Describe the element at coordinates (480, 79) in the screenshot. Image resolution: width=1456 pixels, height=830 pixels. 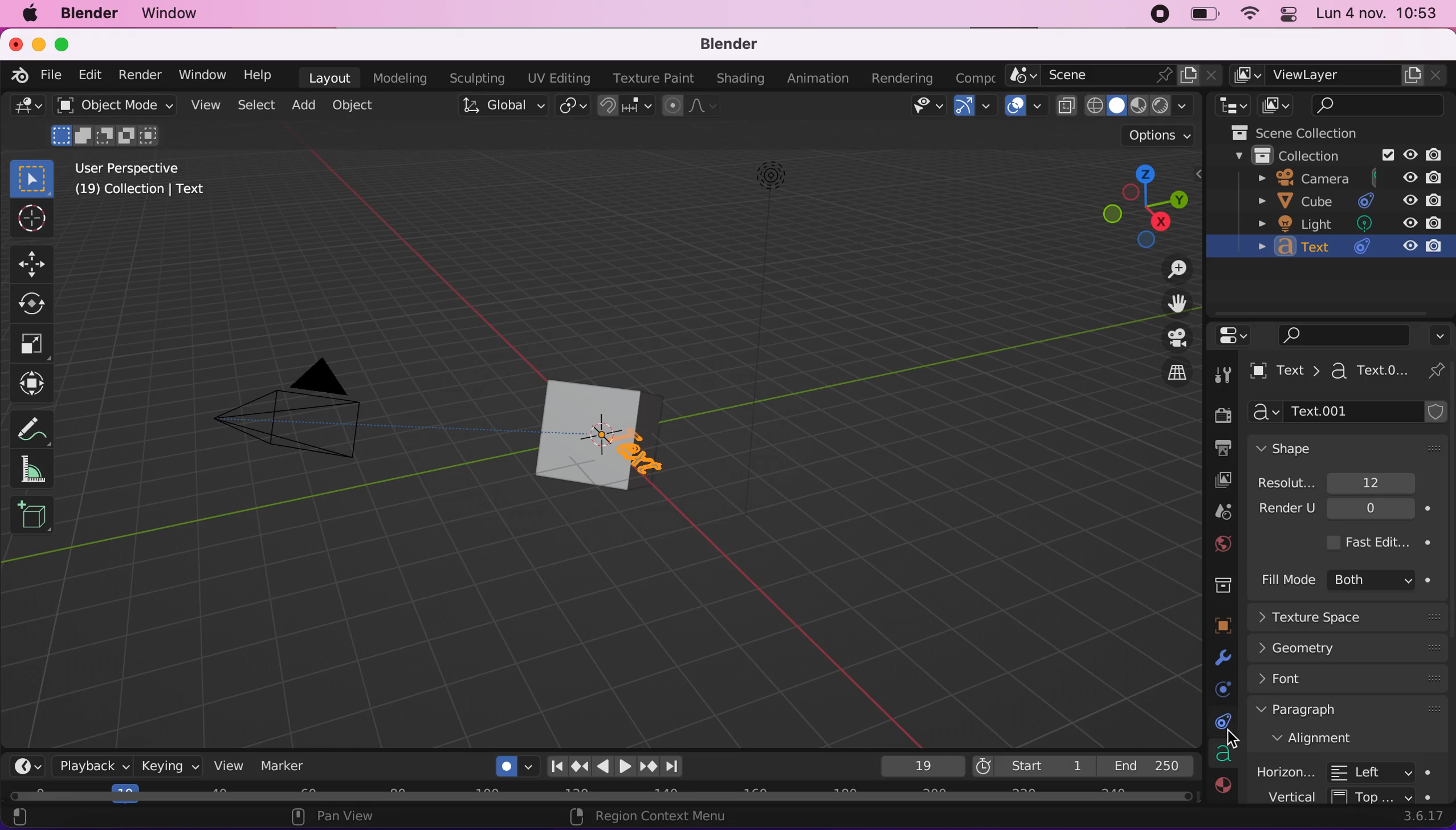
I see `sculpting` at that location.